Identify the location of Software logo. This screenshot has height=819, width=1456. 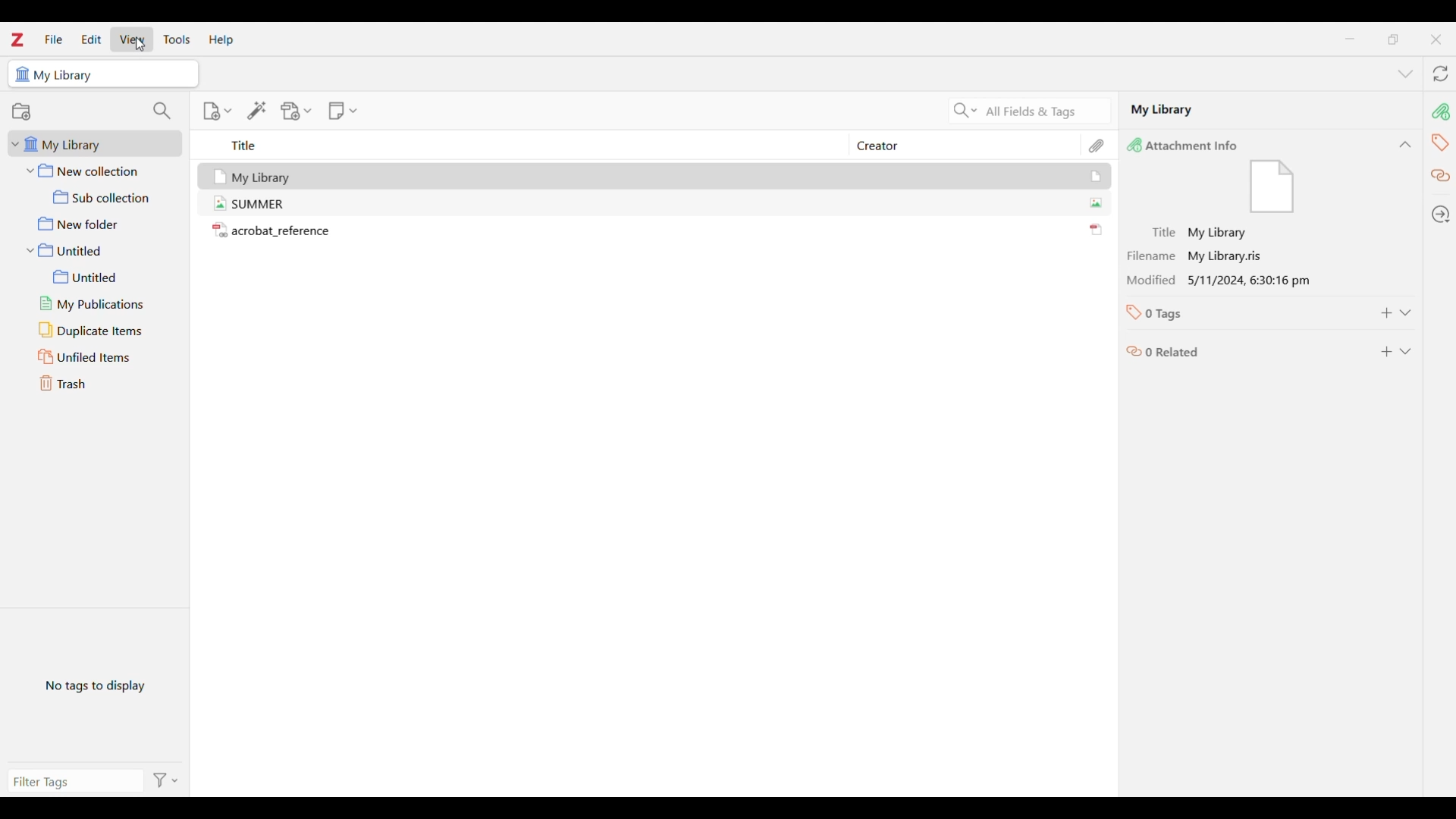
(17, 39).